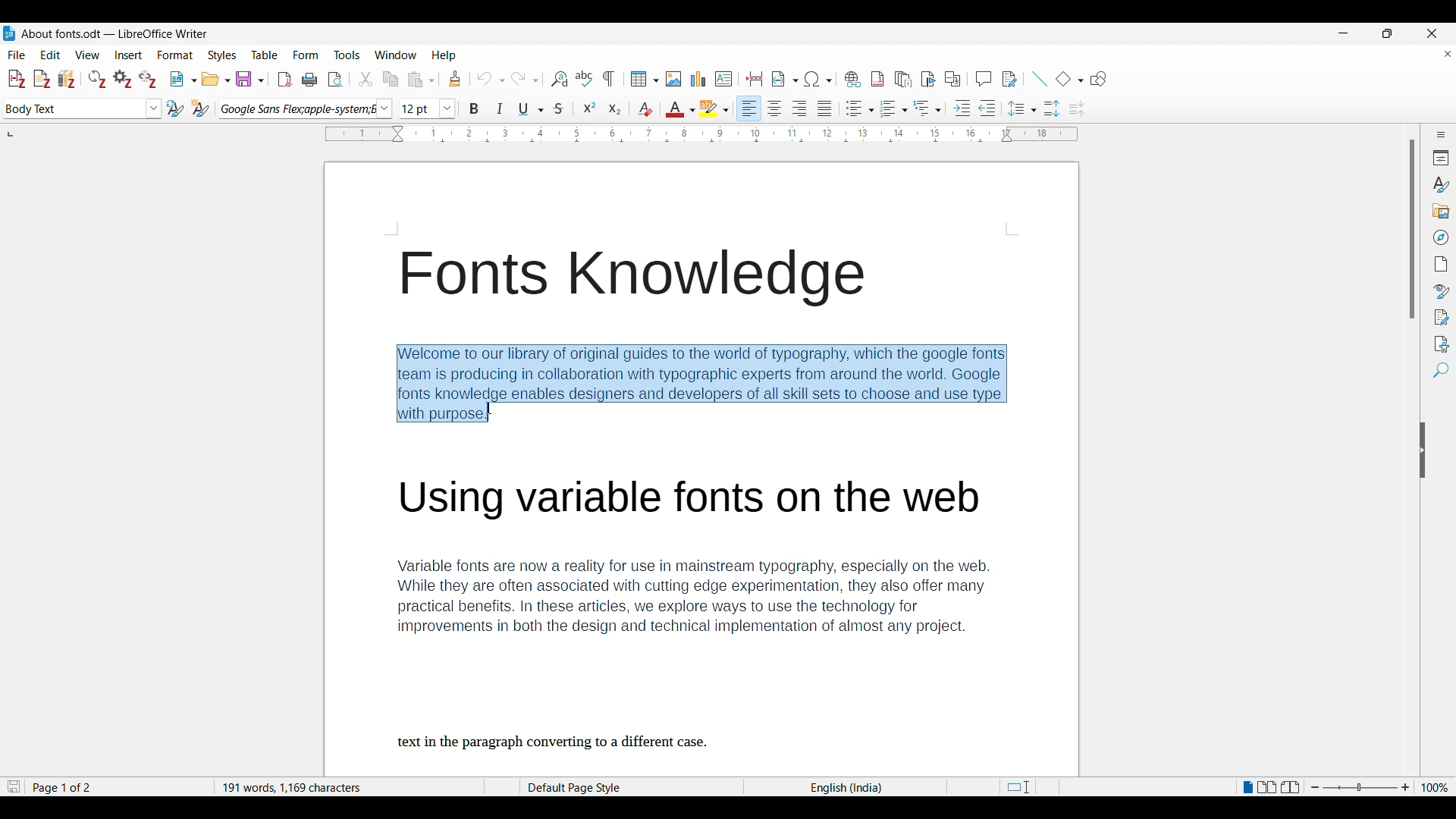  What do you see at coordinates (903, 79) in the screenshot?
I see `Insert endnote` at bounding box center [903, 79].